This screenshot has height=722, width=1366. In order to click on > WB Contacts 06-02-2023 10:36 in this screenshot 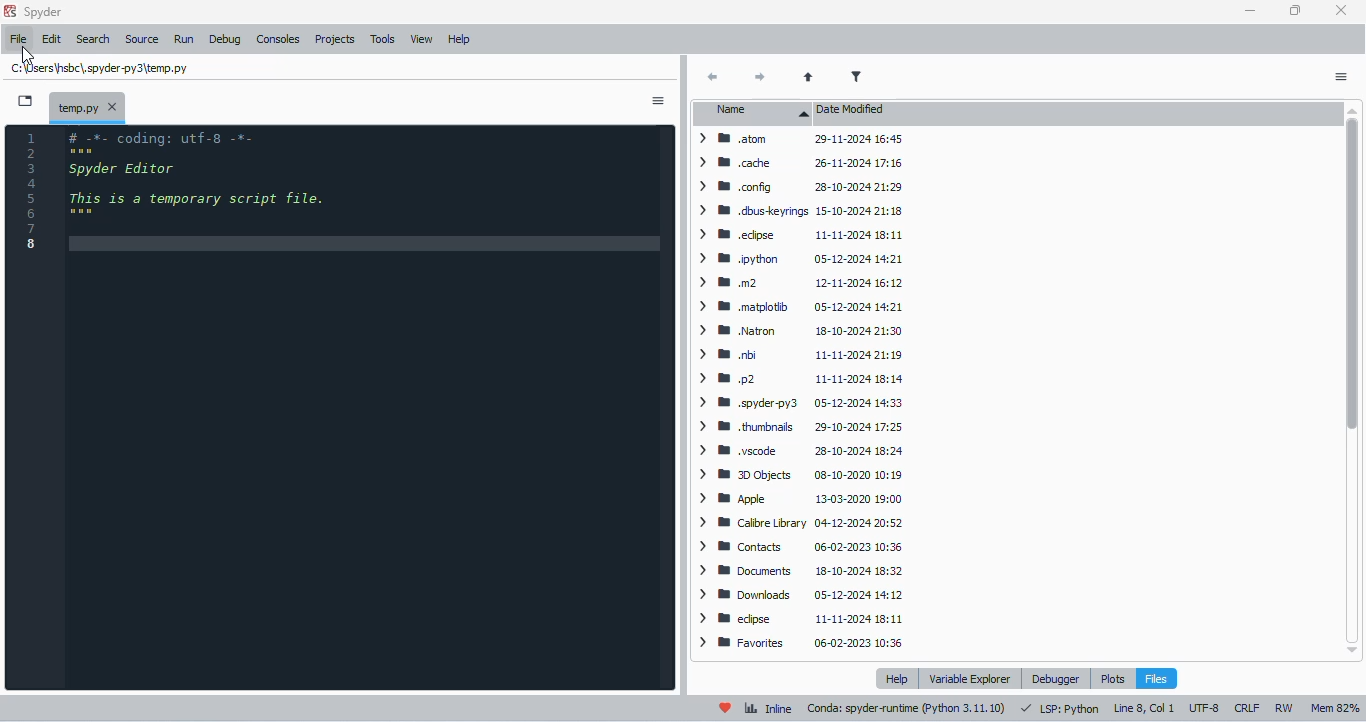, I will do `click(797, 546)`.